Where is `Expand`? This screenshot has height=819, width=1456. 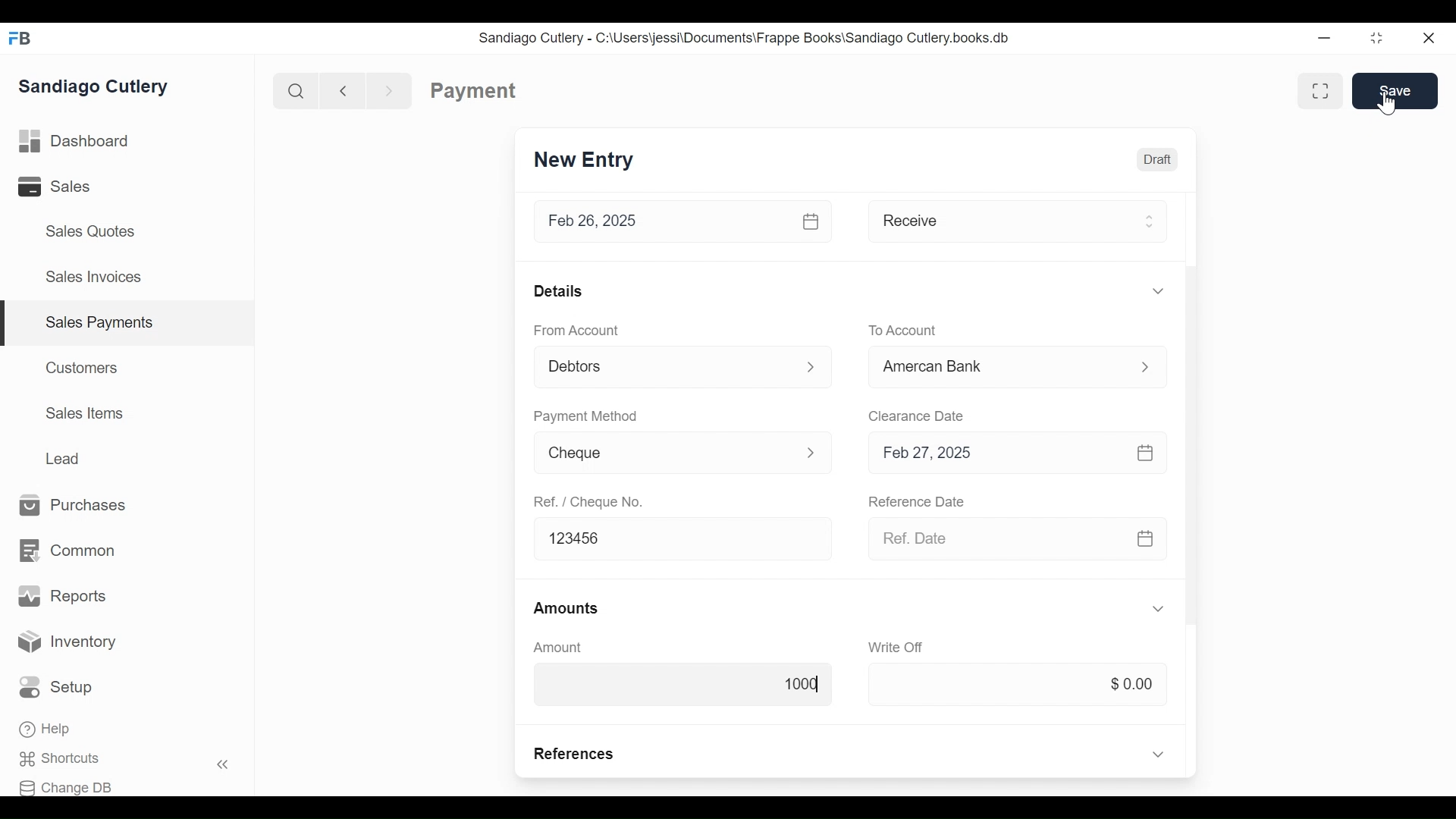
Expand is located at coordinates (1157, 290).